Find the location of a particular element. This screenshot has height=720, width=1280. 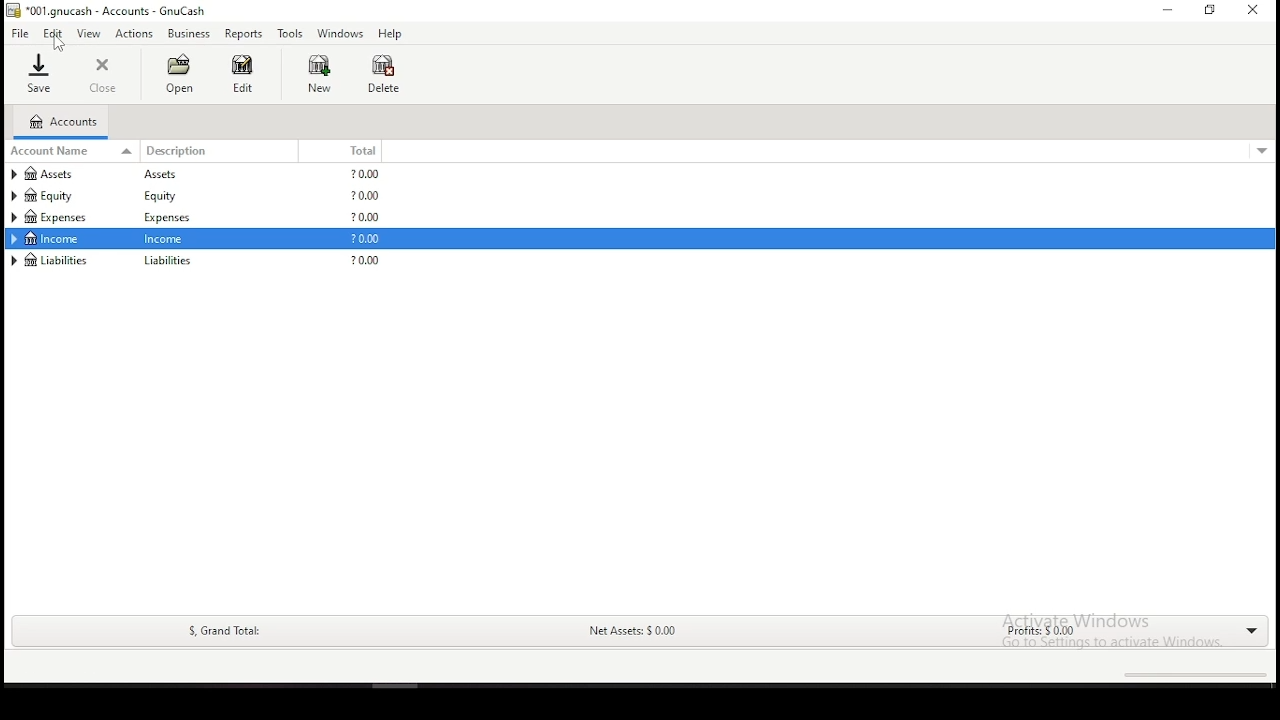

account name is located at coordinates (74, 150).